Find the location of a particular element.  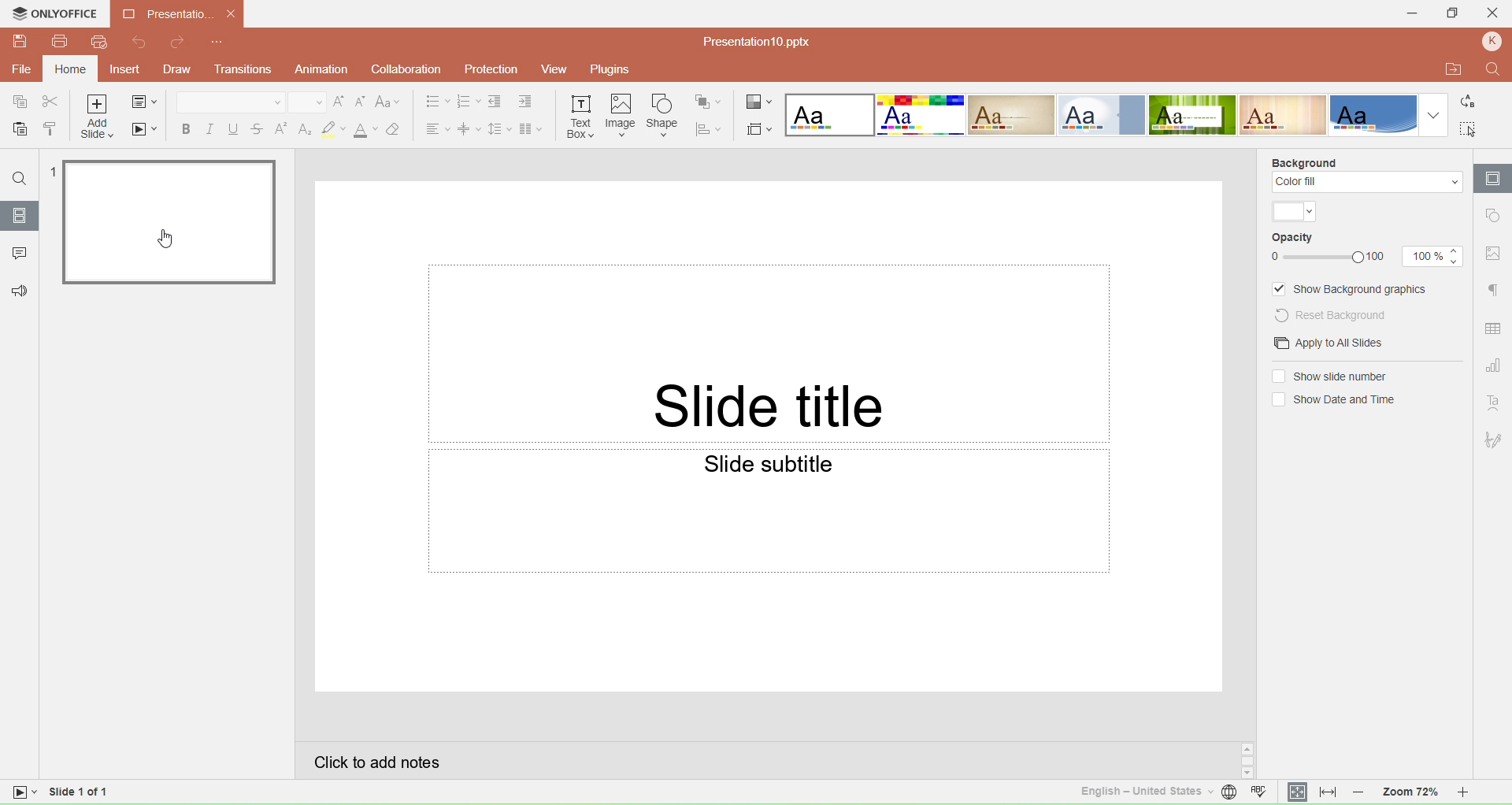

Redo is located at coordinates (178, 43).